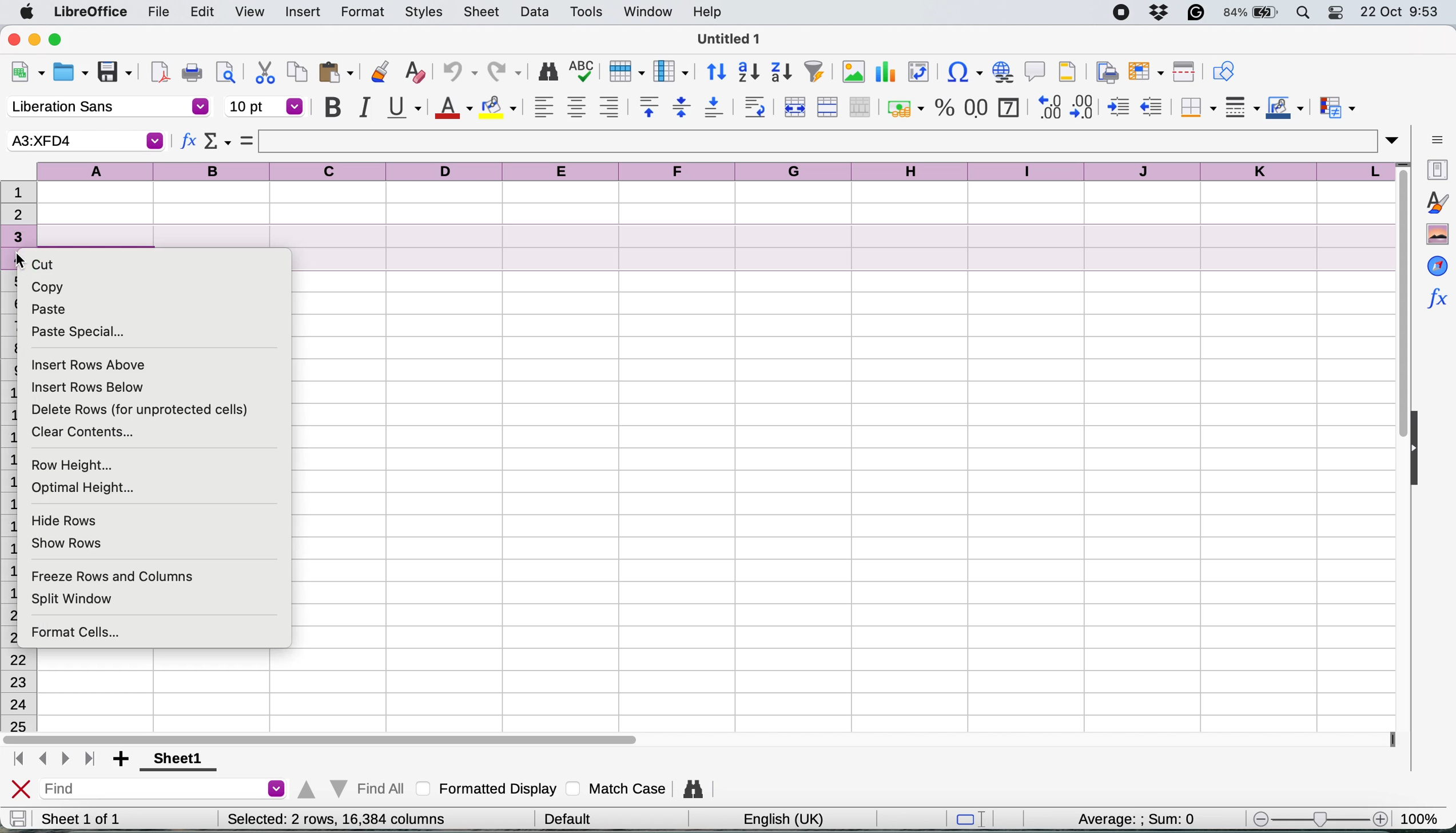 Image resolution: width=1456 pixels, height=833 pixels. Describe the element at coordinates (826, 108) in the screenshot. I see `merge` at that location.